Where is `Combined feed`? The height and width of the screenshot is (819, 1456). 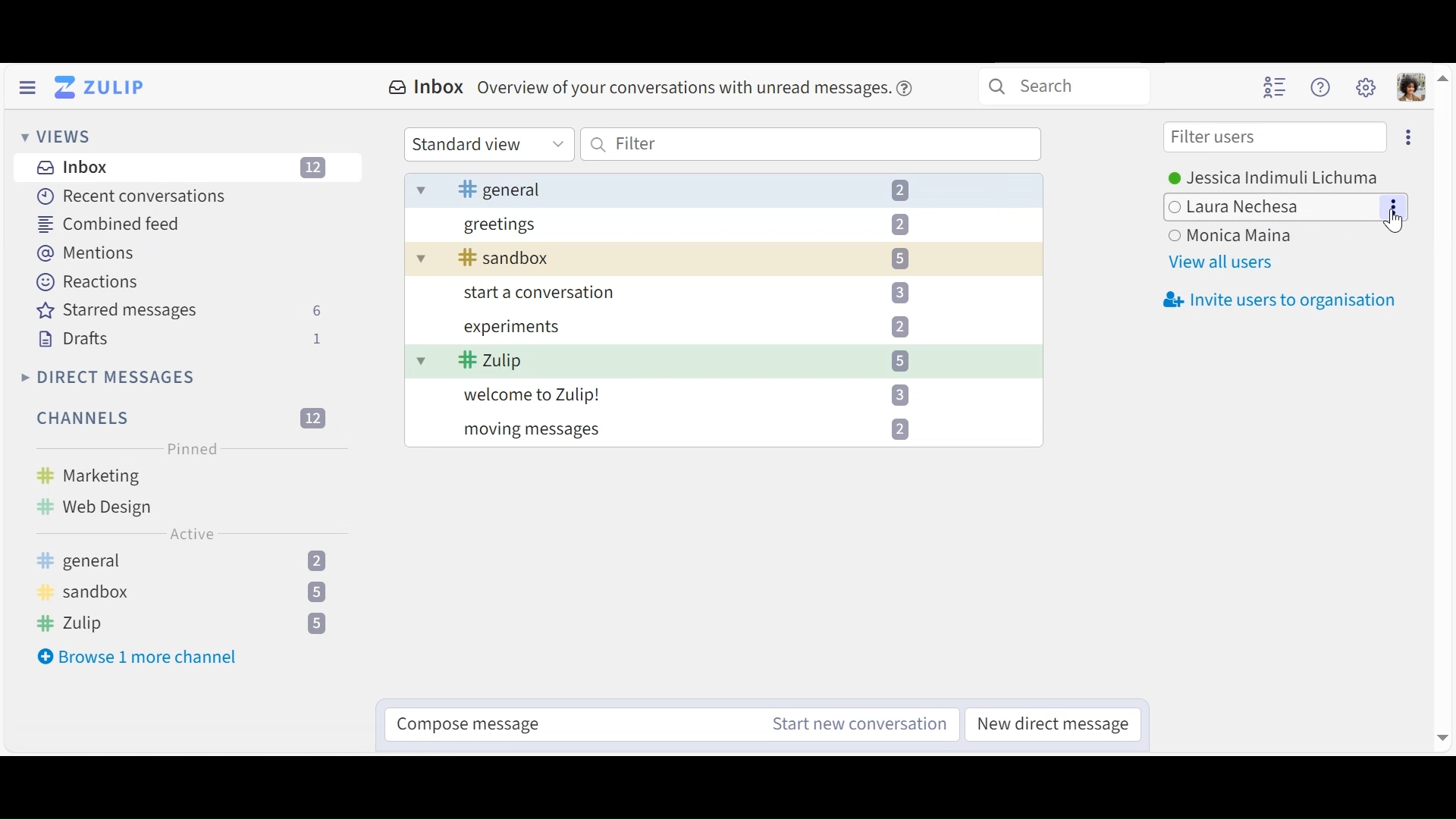 Combined feed is located at coordinates (111, 223).